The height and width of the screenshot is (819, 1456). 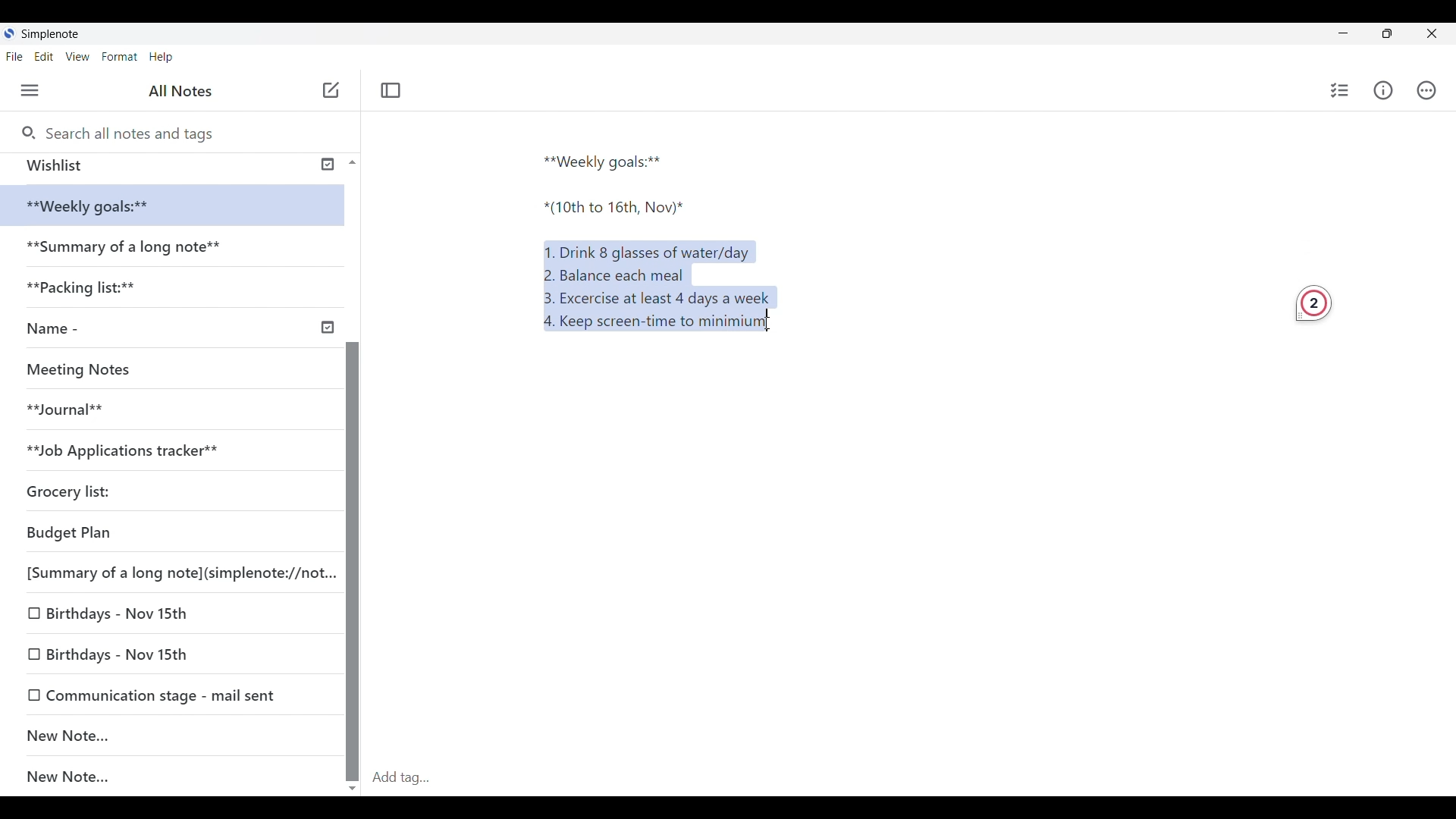 What do you see at coordinates (36, 90) in the screenshot?
I see `Menu • ctrl + shift + u` at bounding box center [36, 90].